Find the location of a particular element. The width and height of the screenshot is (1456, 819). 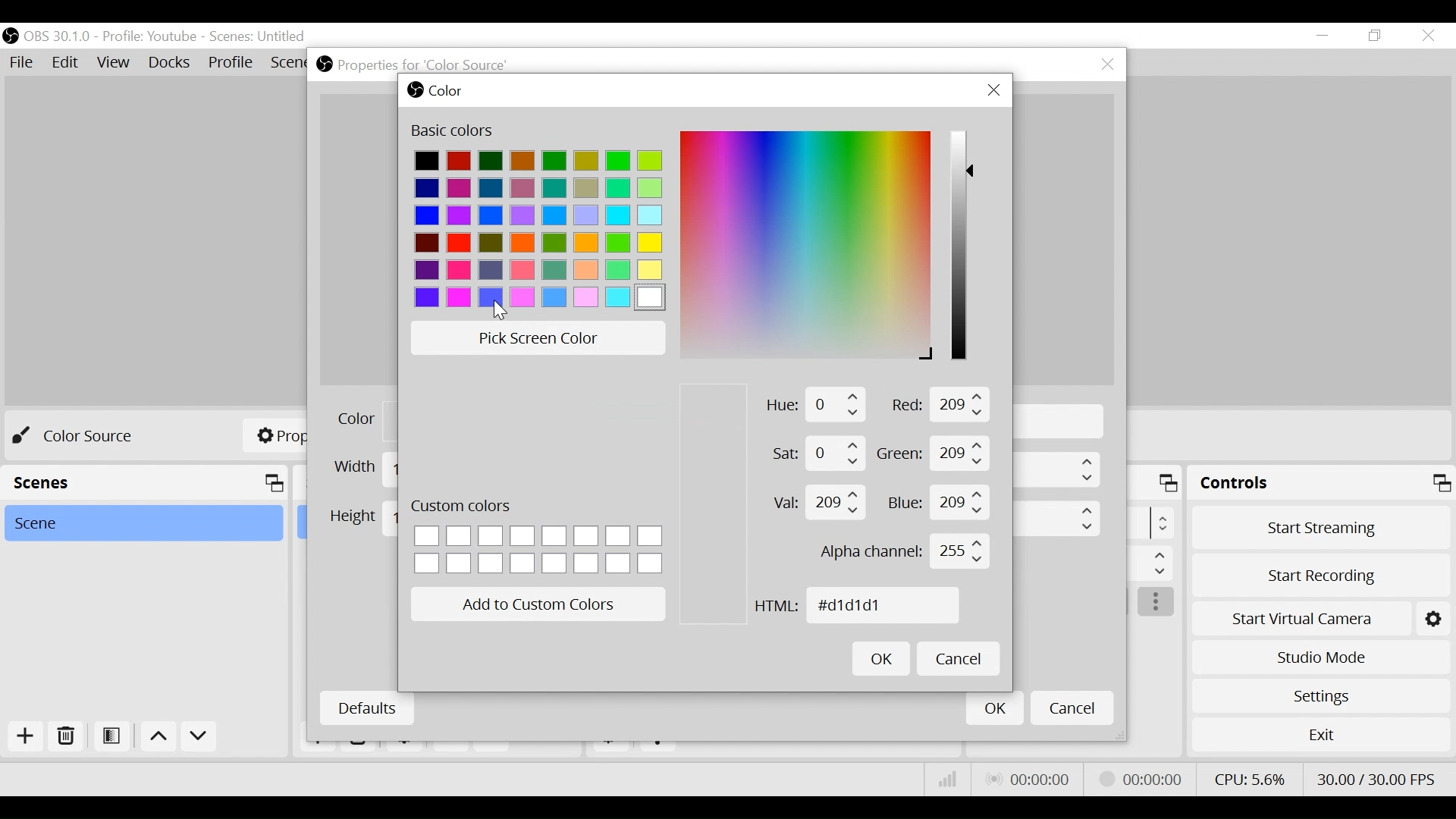

Edit is located at coordinates (65, 61).